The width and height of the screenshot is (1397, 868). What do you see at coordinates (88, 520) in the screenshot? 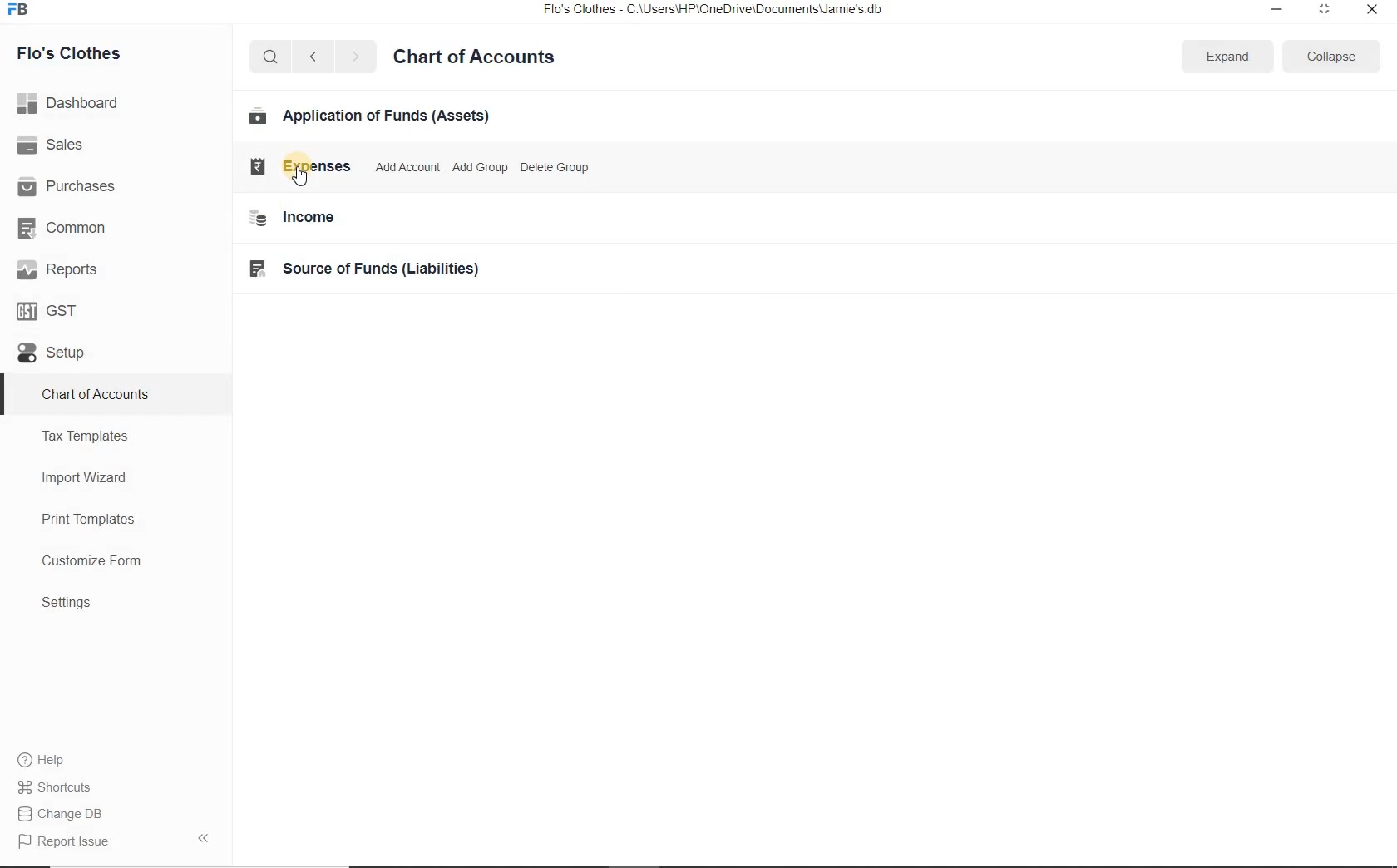
I see `Print Templates` at bounding box center [88, 520].